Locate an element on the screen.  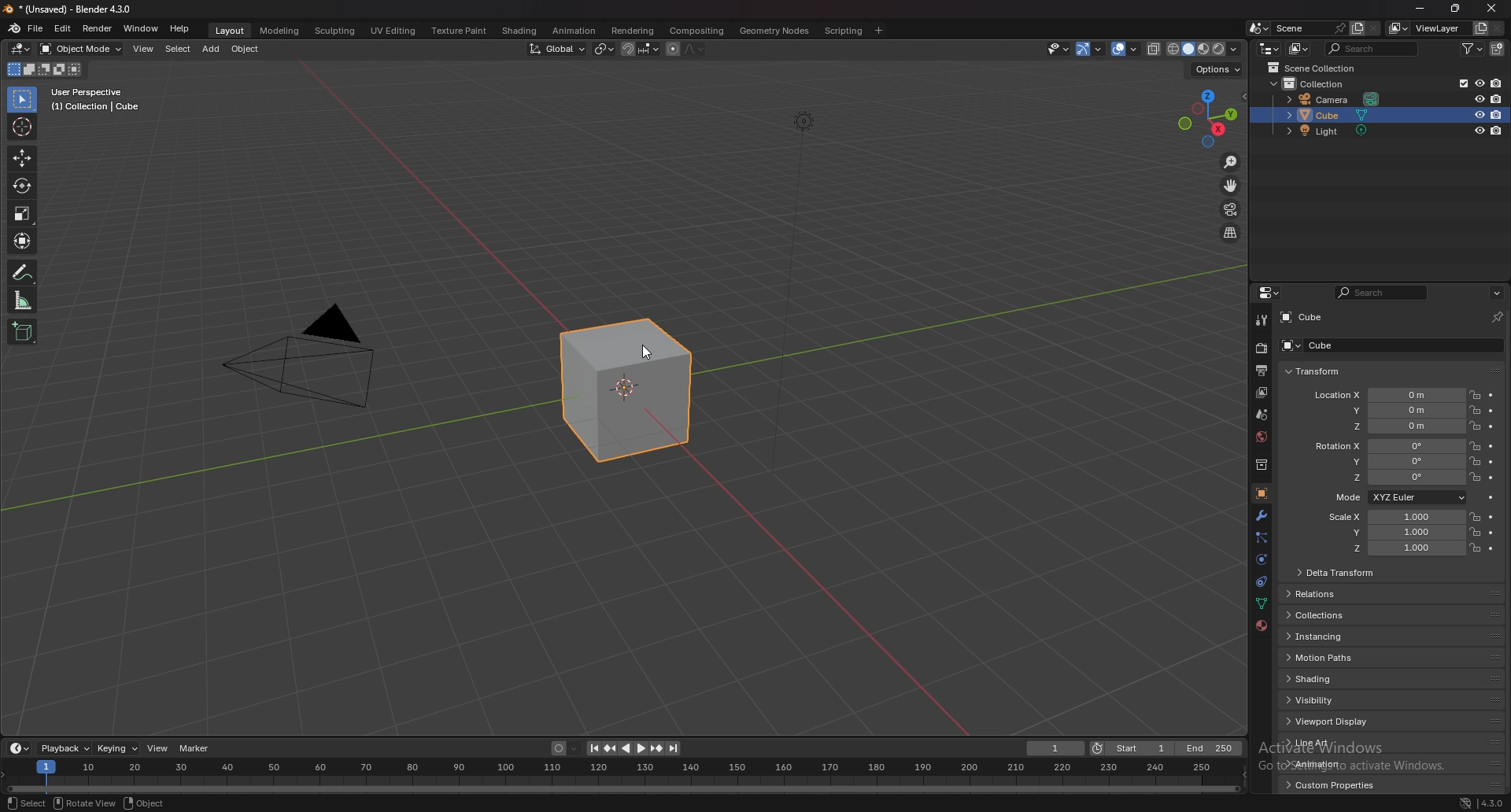
sculpting is located at coordinates (336, 31).